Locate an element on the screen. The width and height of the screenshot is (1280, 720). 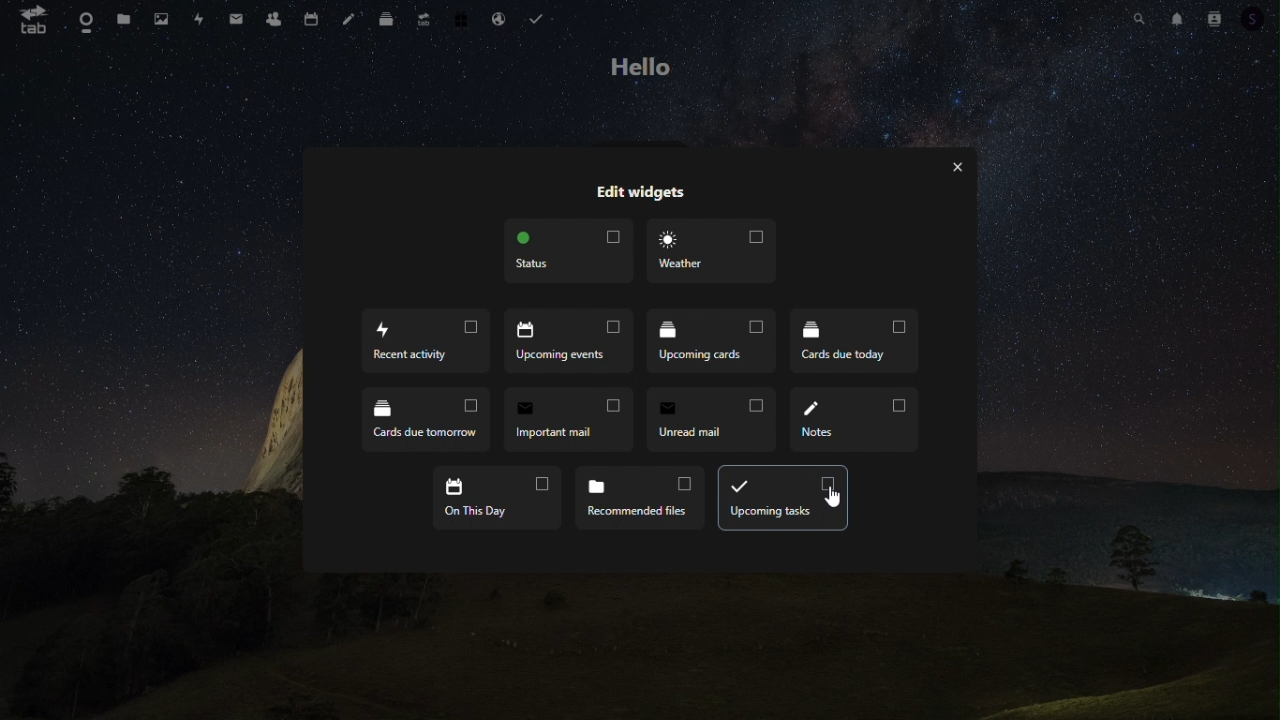
upgrade is located at coordinates (424, 23).